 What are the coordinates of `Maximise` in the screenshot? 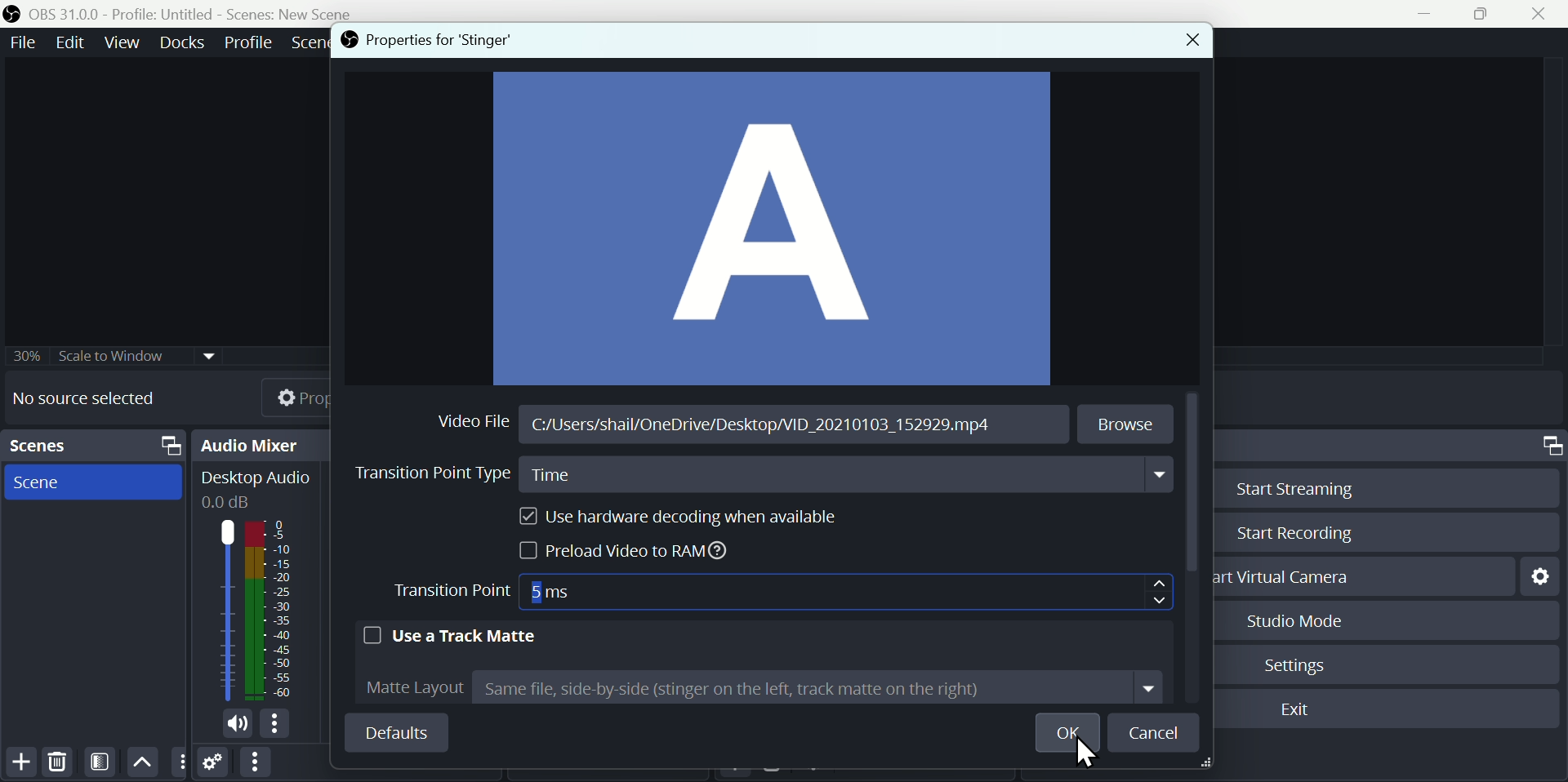 It's located at (1488, 15).